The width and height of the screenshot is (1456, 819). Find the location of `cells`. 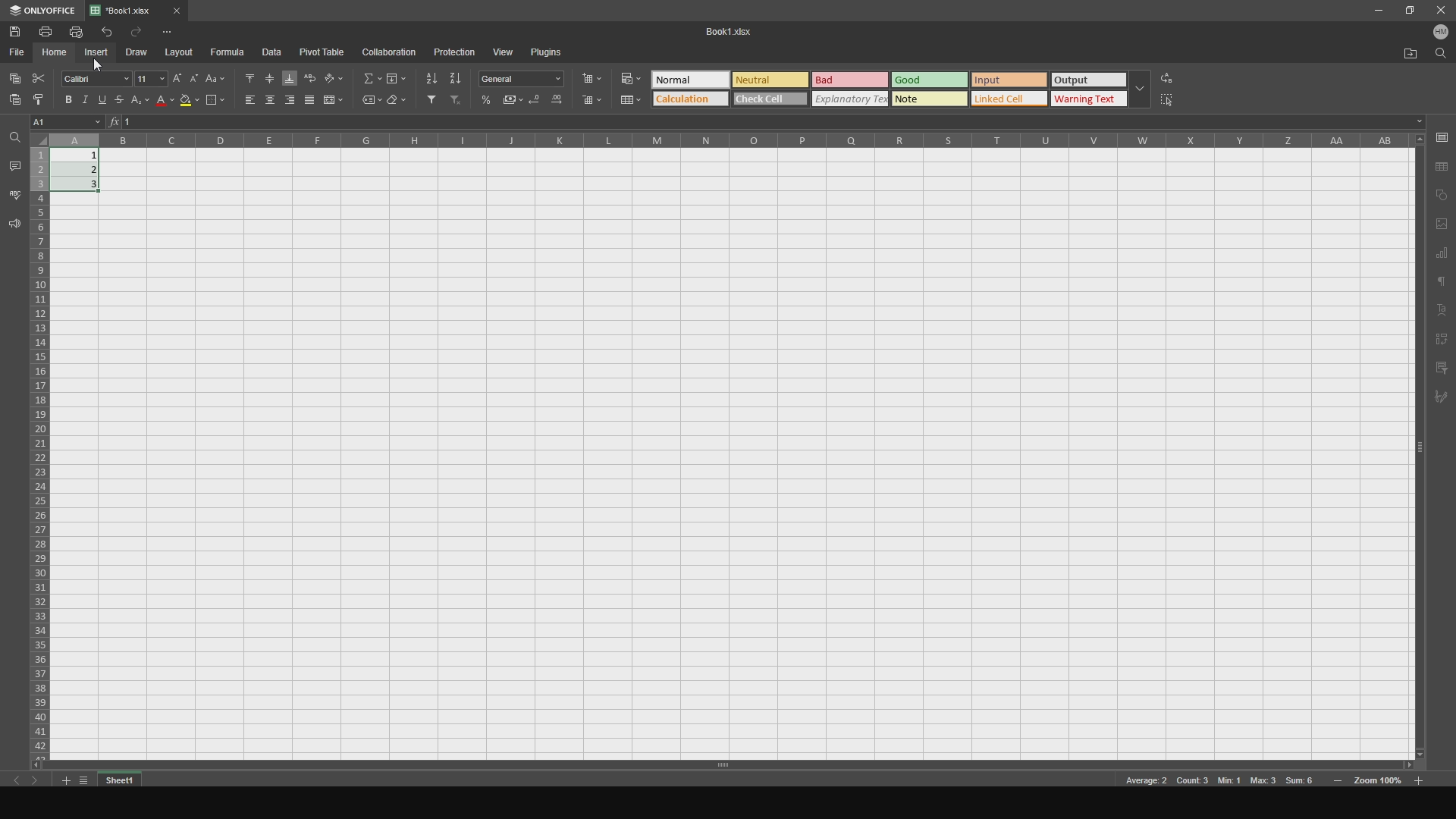

cells is located at coordinates (39, 445).